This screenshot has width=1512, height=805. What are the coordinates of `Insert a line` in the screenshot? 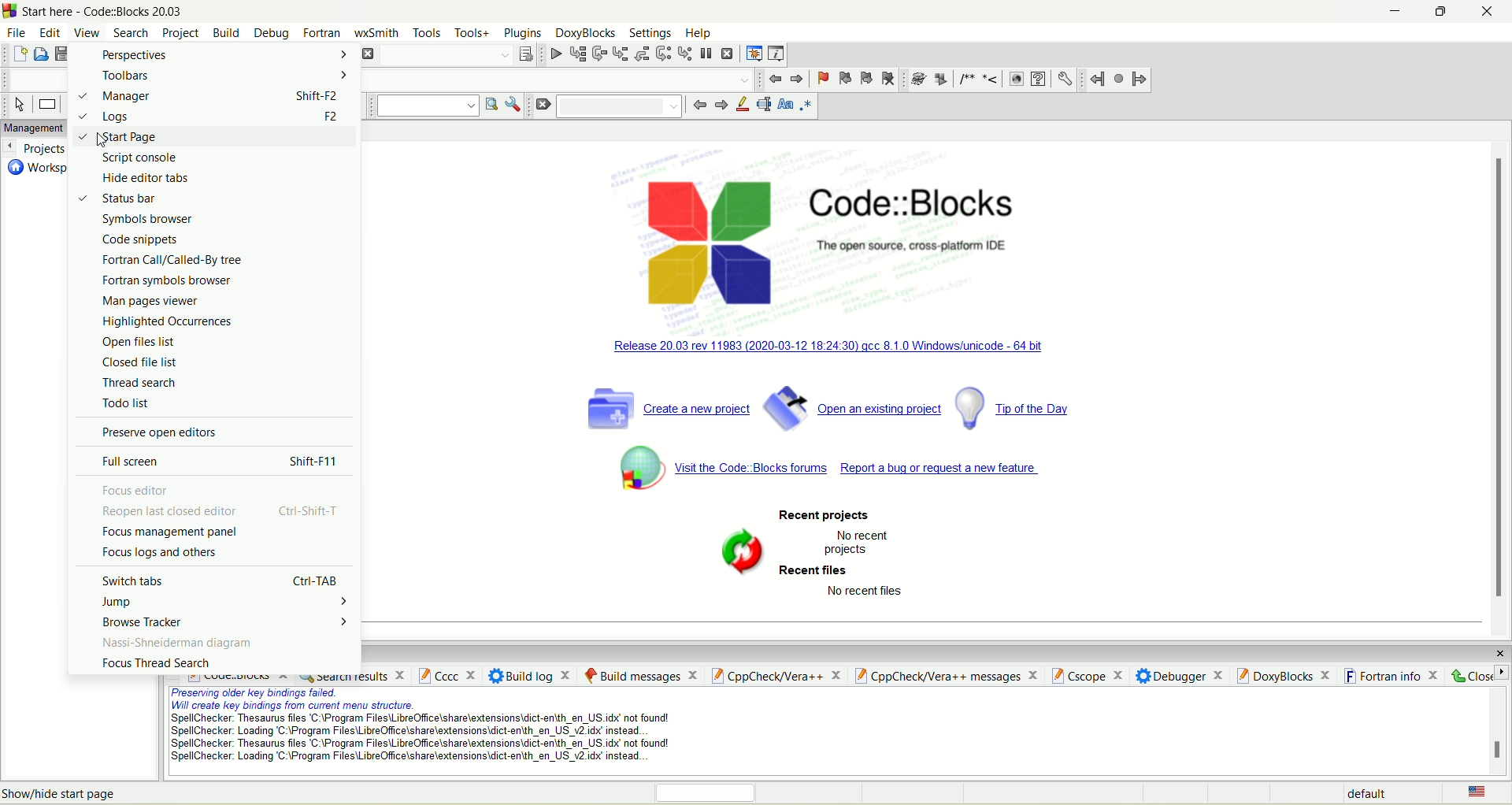 It's located at (991, 80).